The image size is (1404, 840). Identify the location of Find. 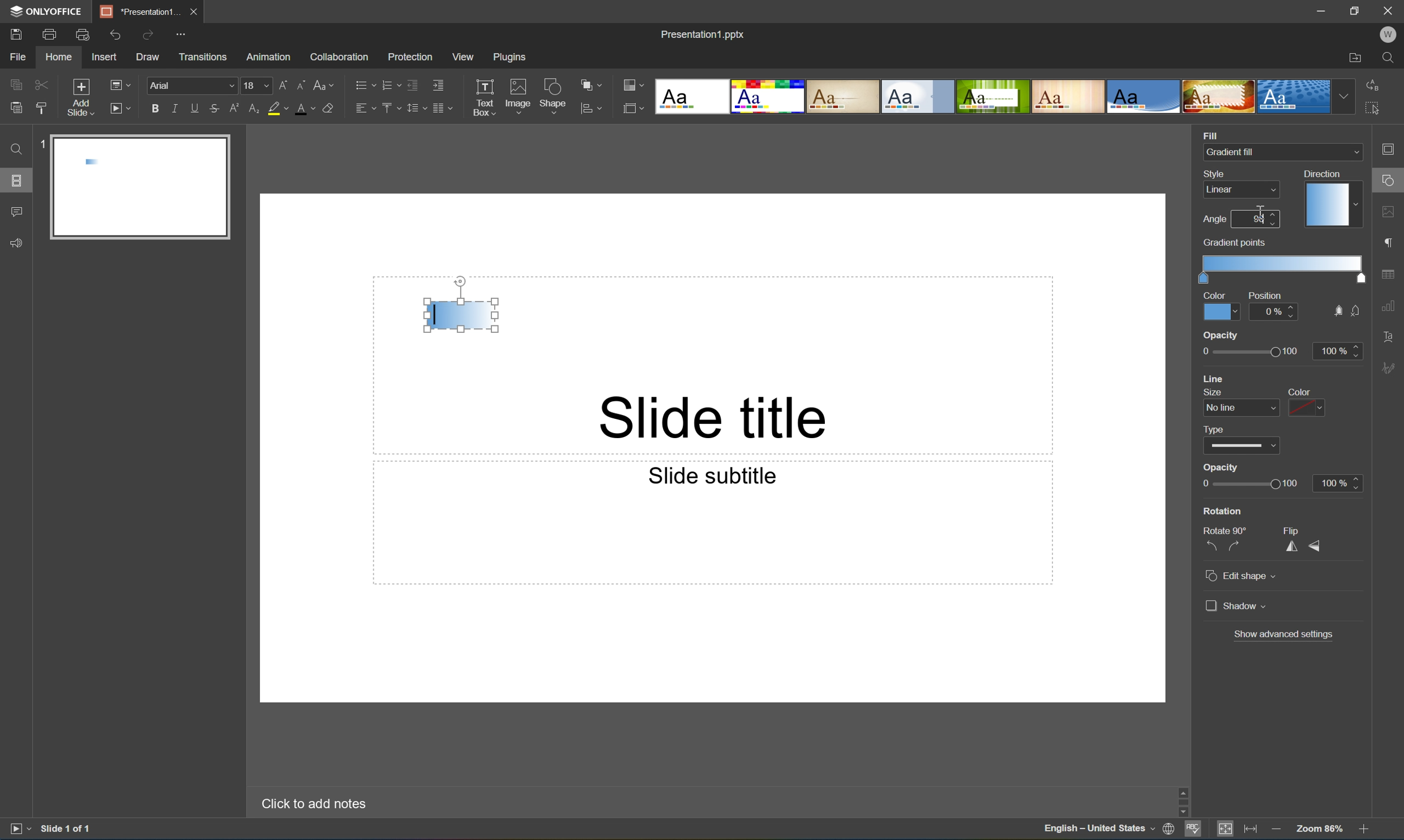
(1393, 58).